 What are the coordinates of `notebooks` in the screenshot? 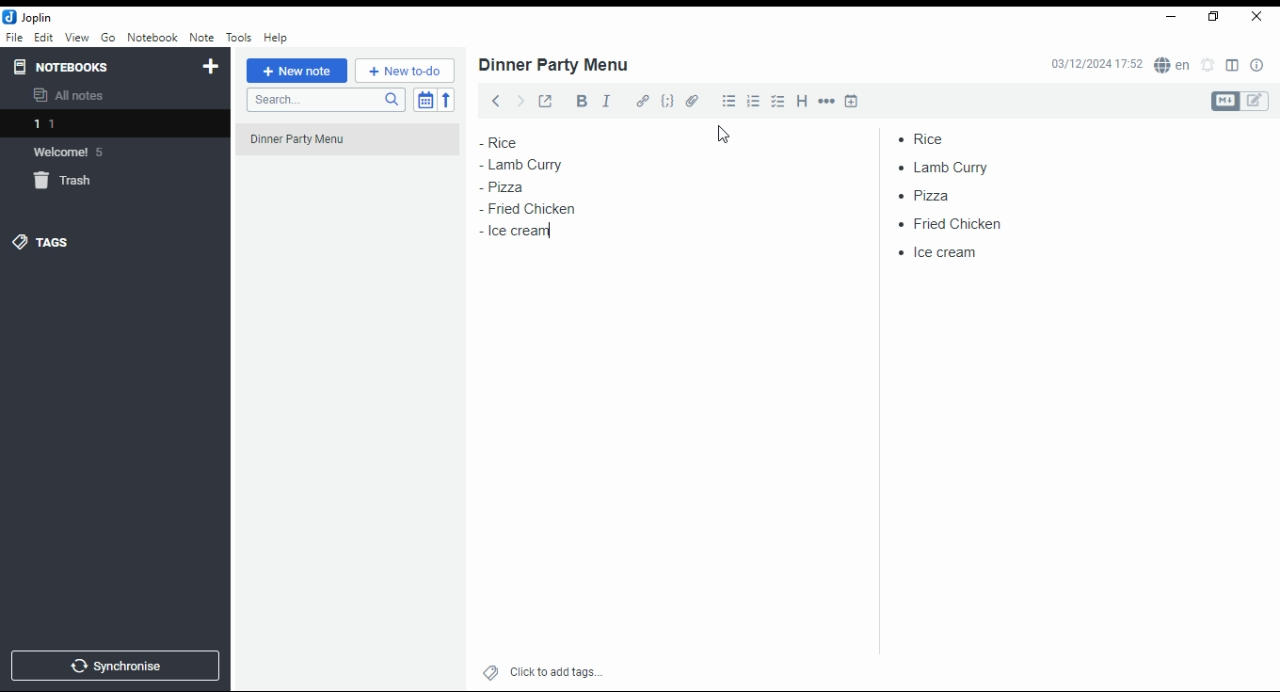 It's located at (66, 66).